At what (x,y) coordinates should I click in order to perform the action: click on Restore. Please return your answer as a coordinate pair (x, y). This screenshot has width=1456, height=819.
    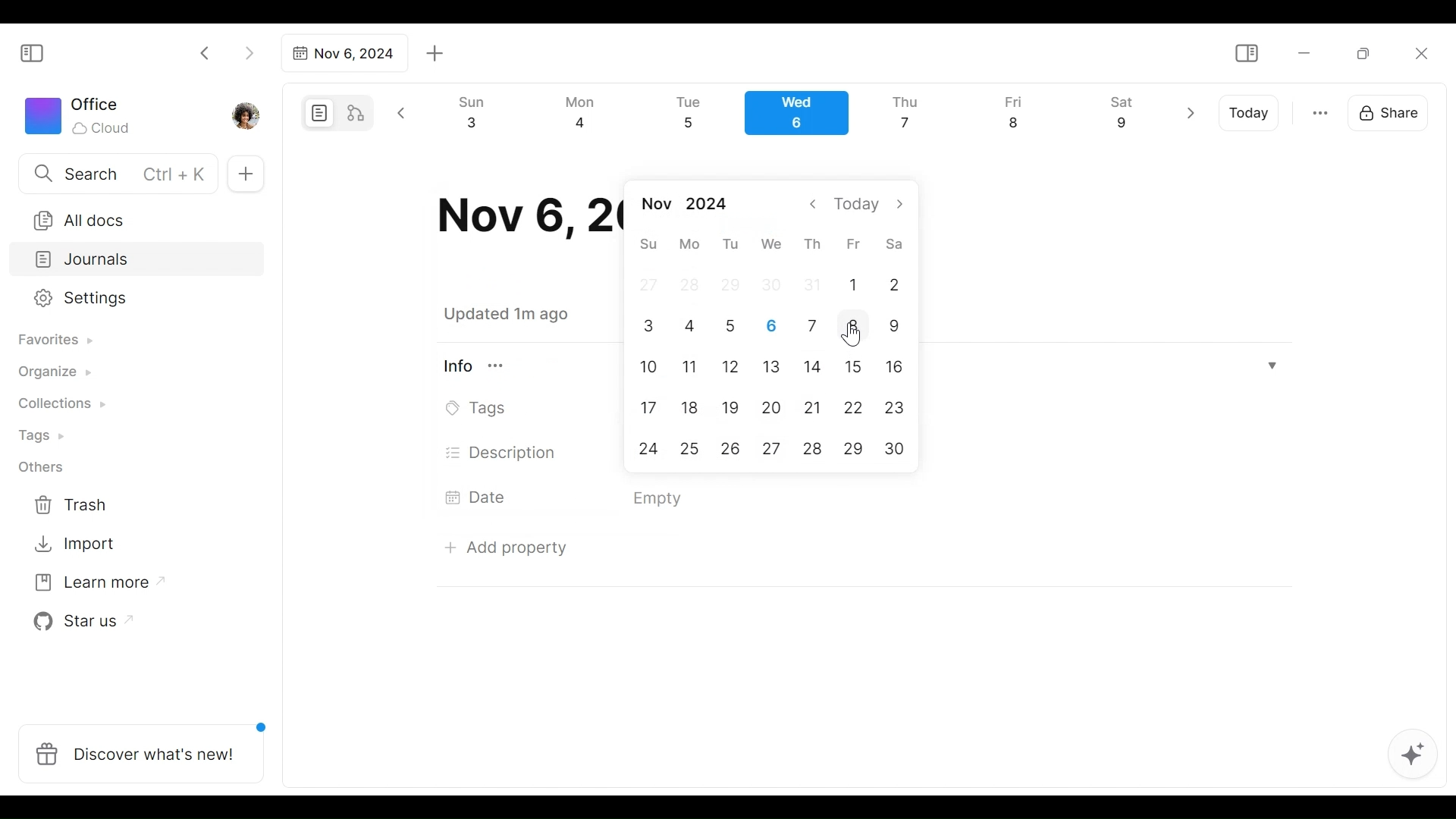
    Looking at the image, I should click on (1369, 52).